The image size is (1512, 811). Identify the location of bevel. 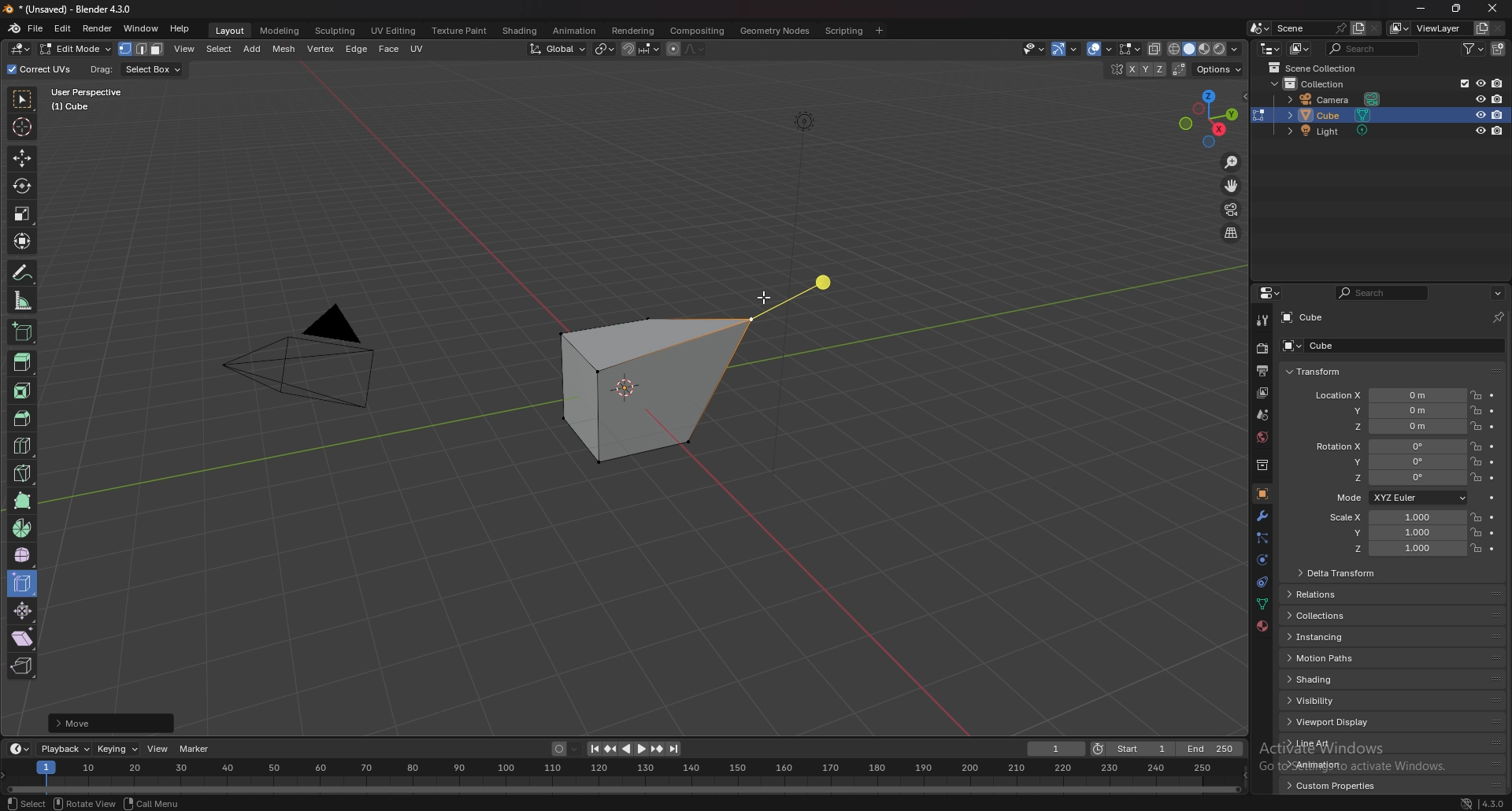
(20, 418).